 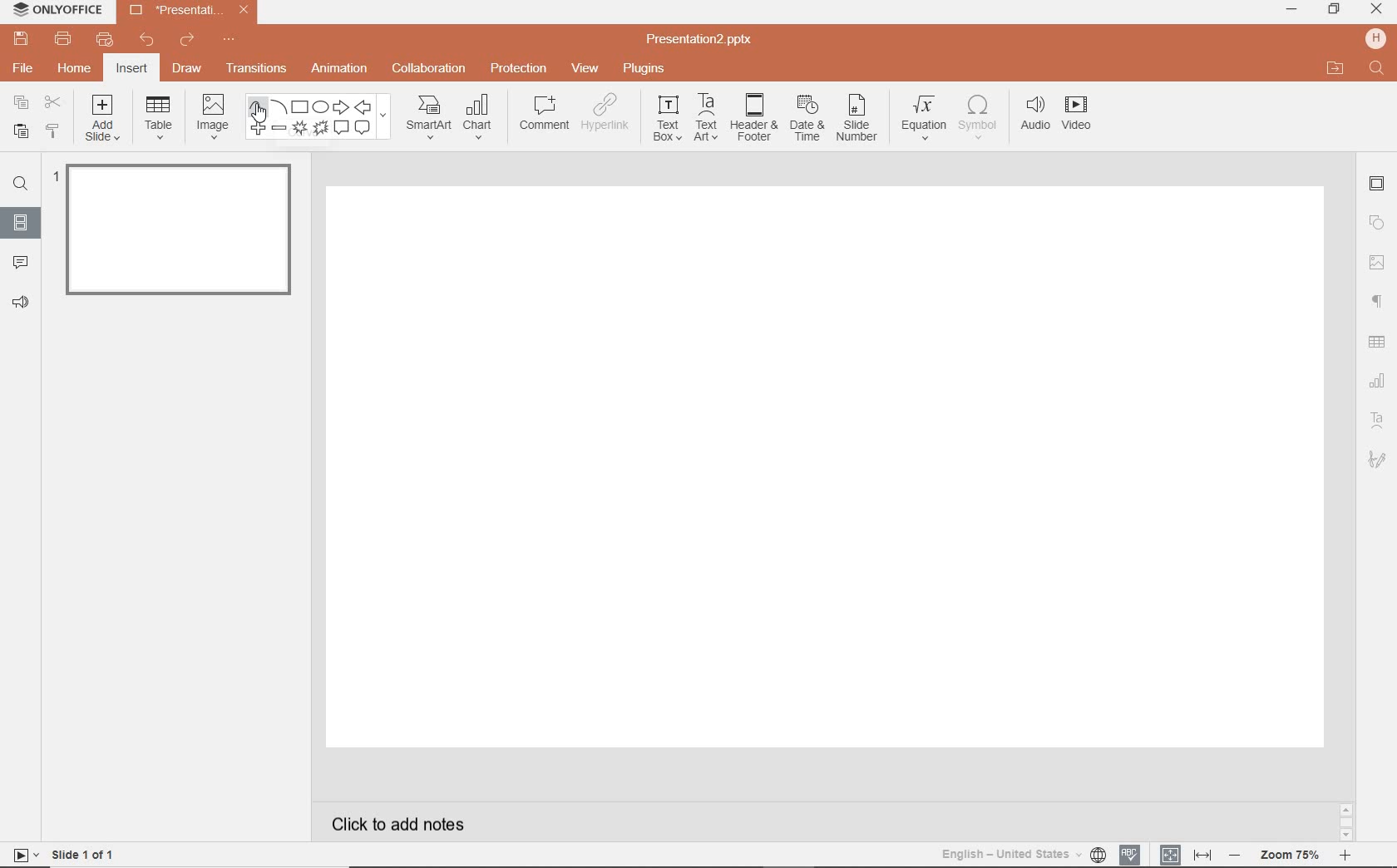 I want to click on SYMBOL, so click(x=978, y=117).